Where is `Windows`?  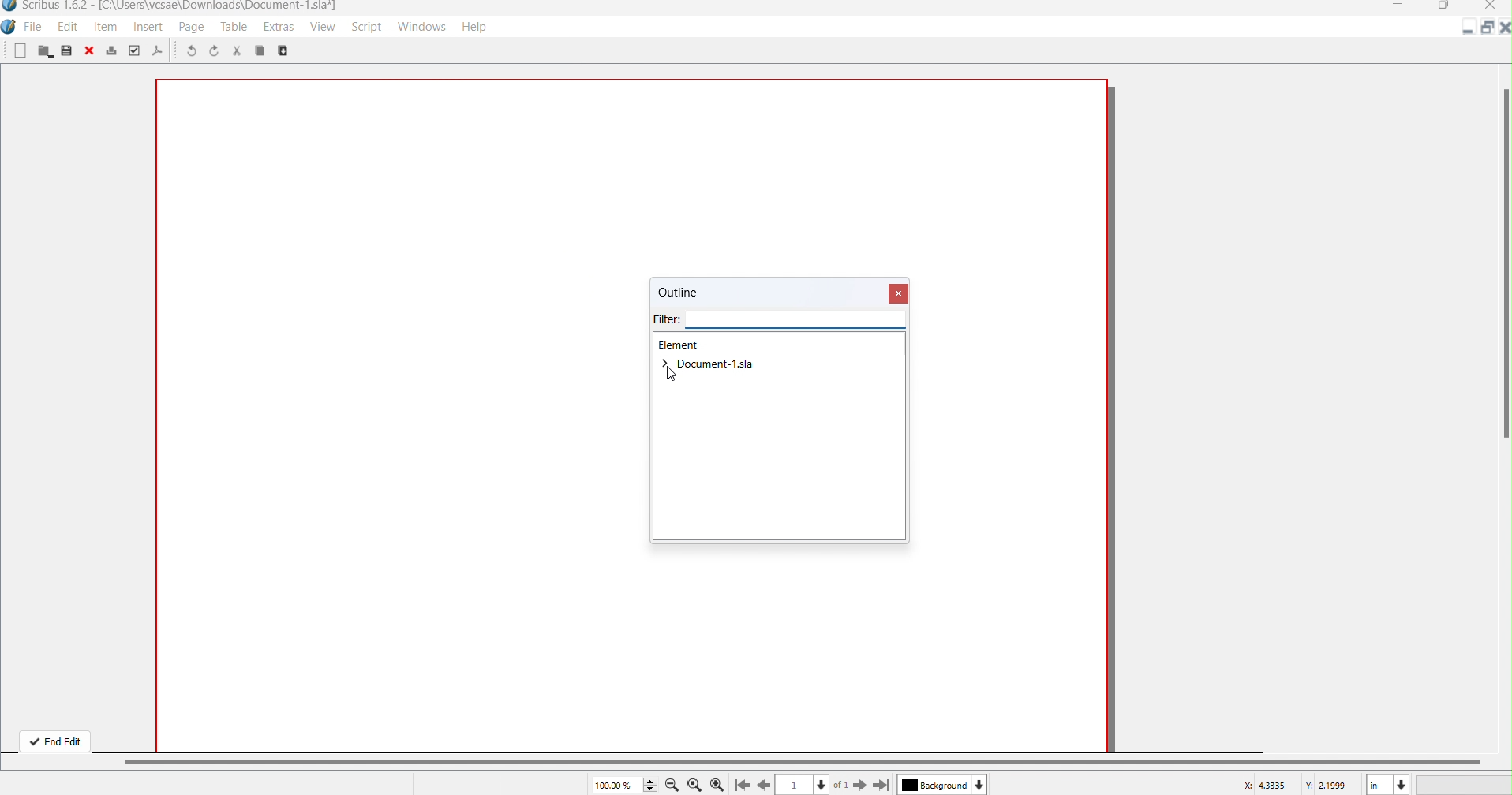
Windows is located at coordinates (424, 27).